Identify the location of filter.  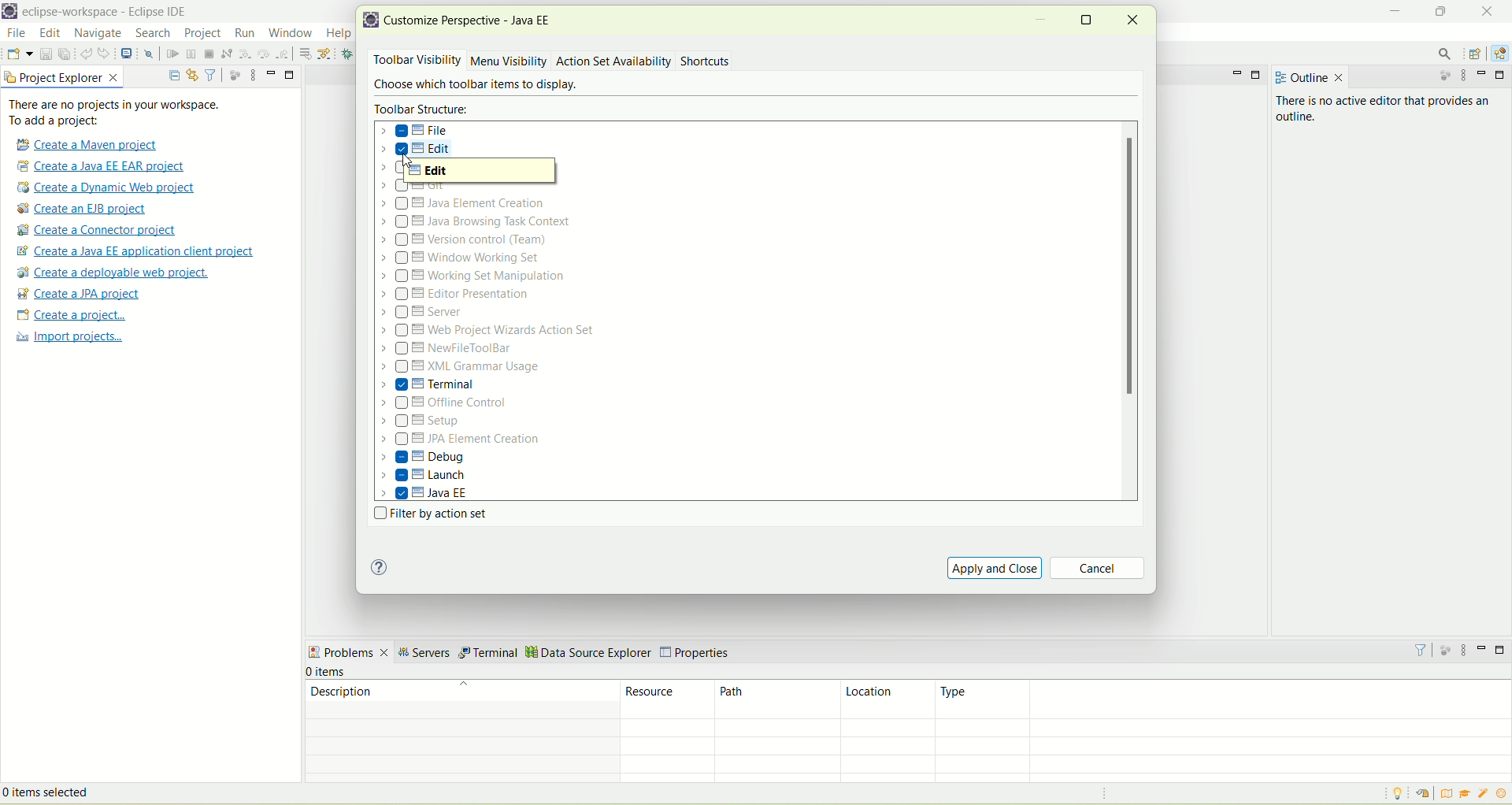
(1421, 649).